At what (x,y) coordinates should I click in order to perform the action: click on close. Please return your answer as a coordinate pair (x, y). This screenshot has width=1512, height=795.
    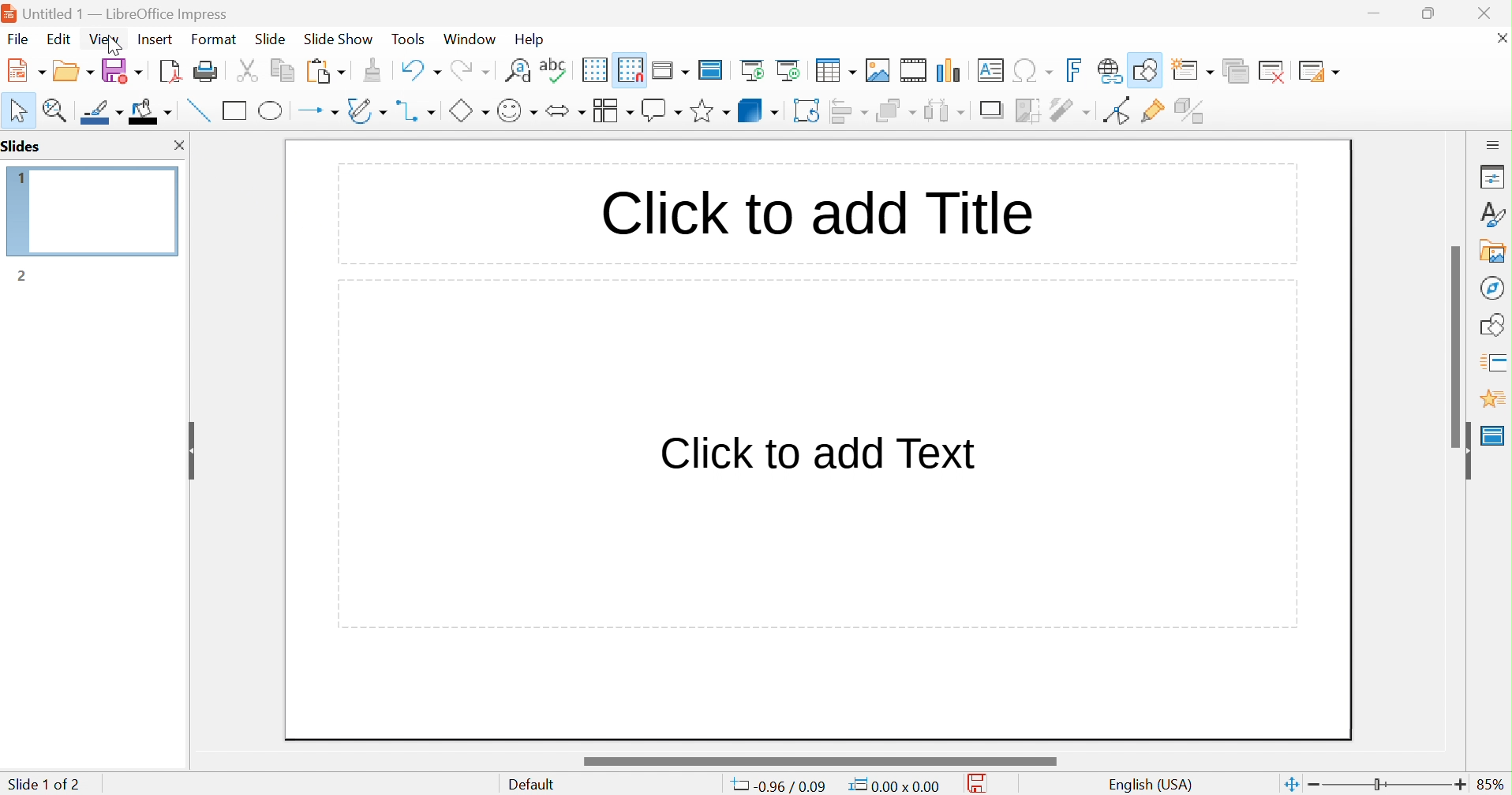
    Looking at the image, I should click on (178, 145).